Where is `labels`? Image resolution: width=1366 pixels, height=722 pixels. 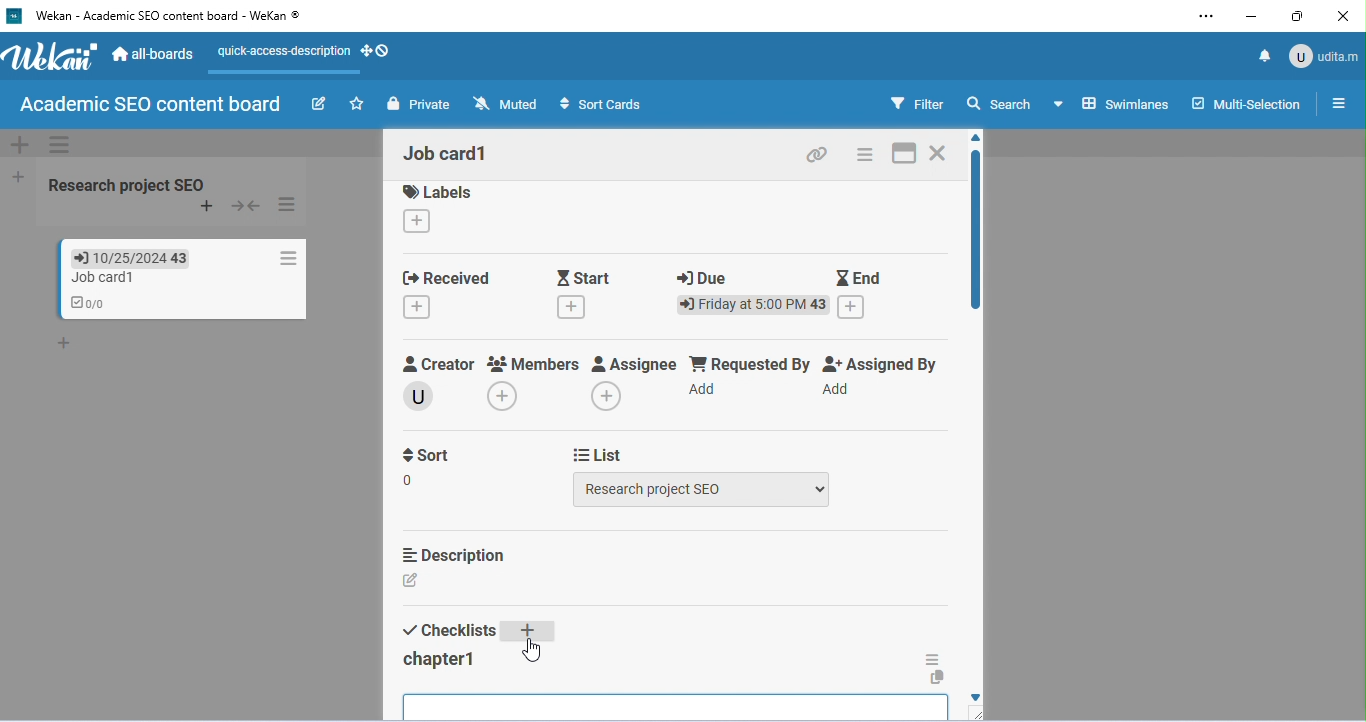
labels is located at coordinates (438, 195).